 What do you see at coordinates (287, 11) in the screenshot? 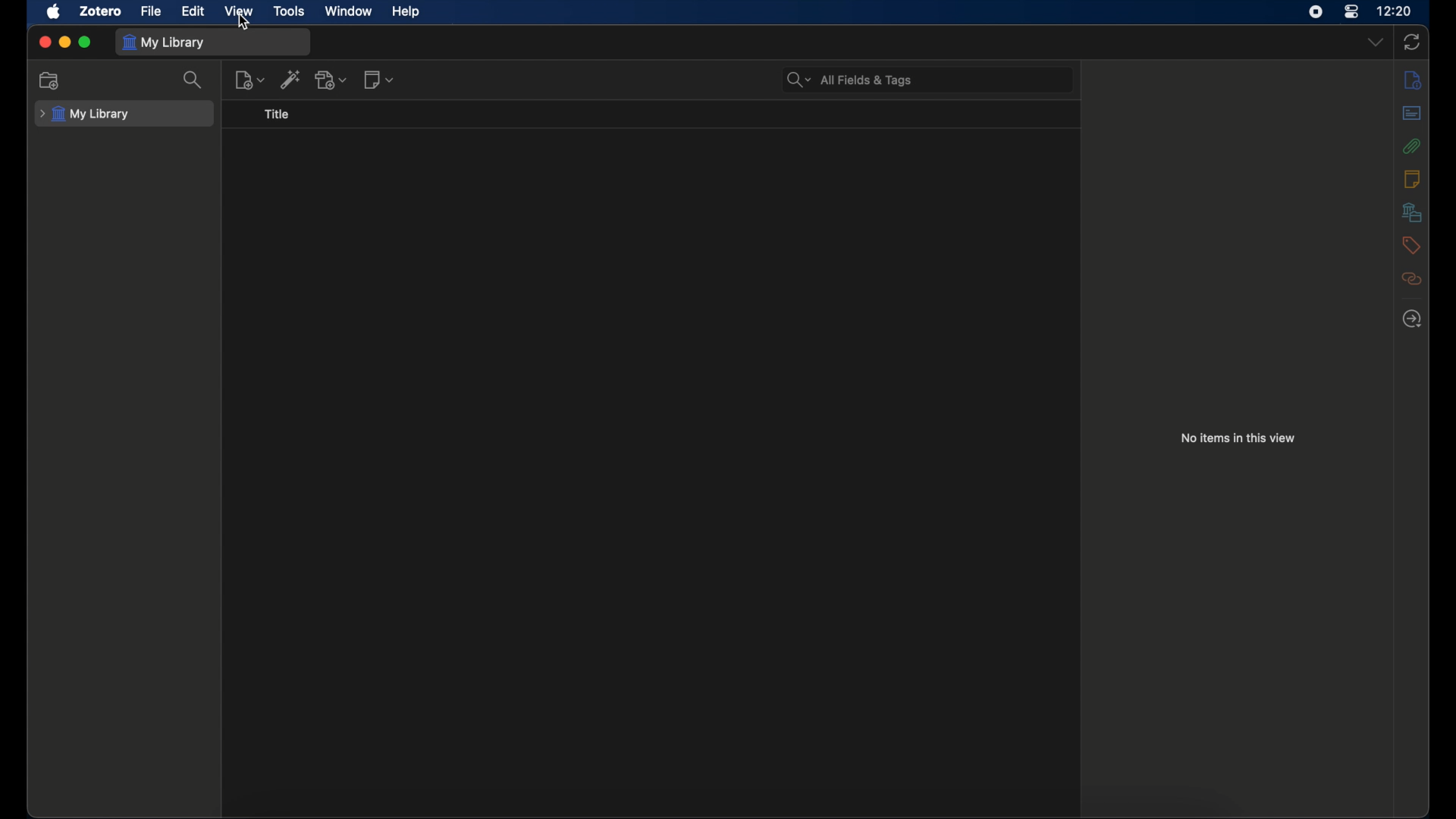
I see `tools` at bounding box center [287, 11].